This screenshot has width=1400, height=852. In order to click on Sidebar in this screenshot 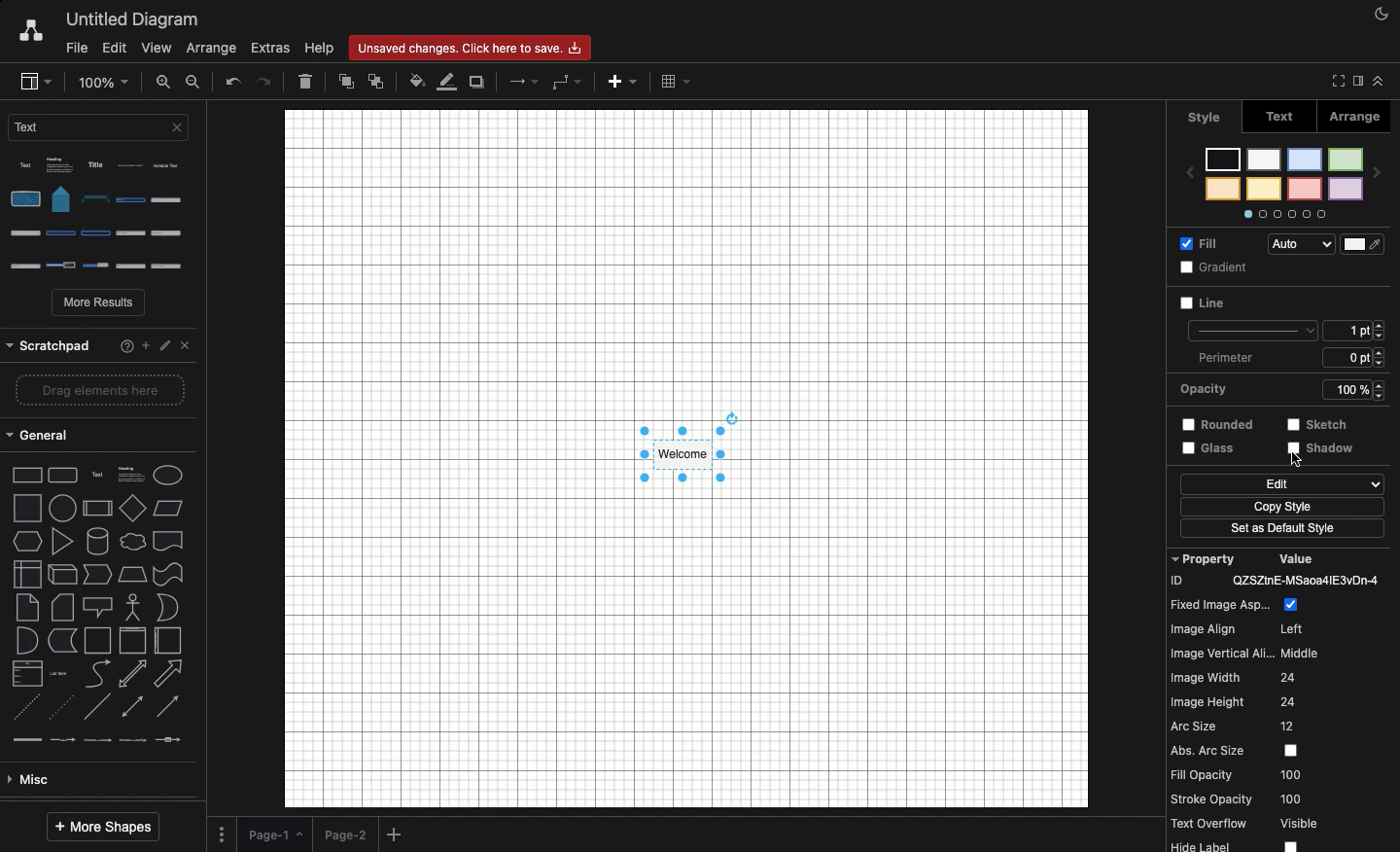, I will do `click(1355, 82)`.